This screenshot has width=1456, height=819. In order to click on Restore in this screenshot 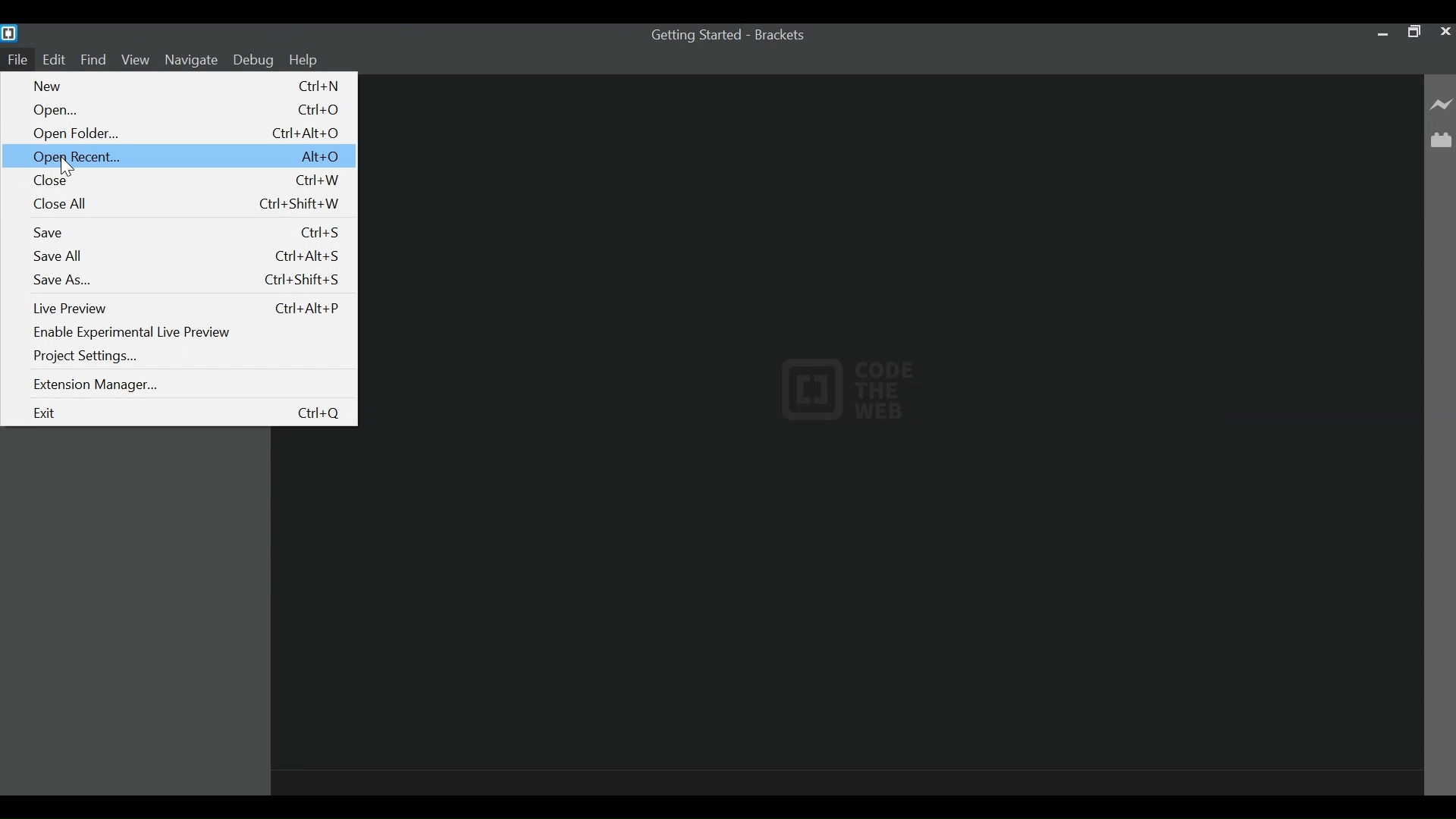, I will do `click(1411, 31)`.